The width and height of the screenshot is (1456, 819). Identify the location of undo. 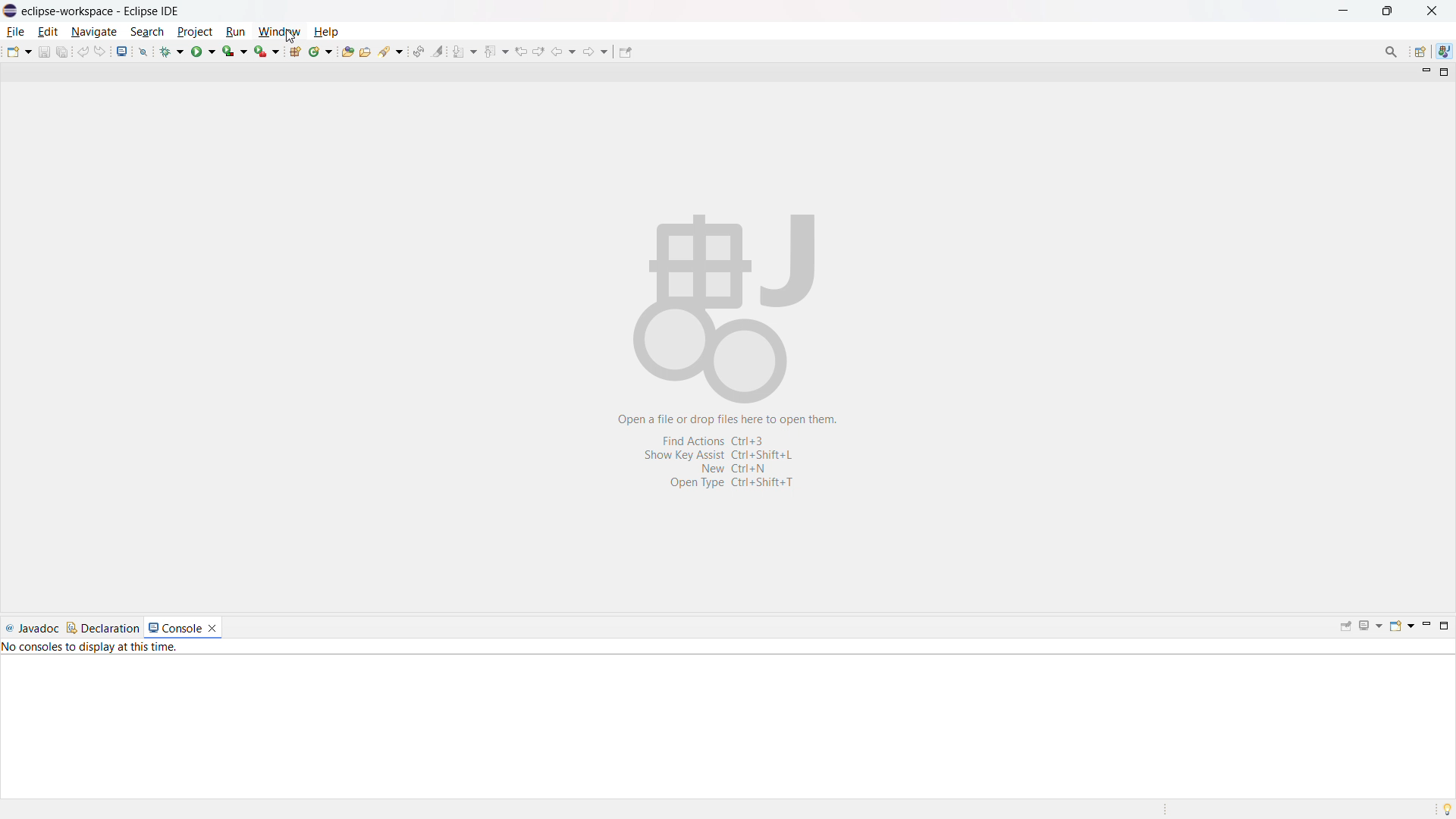
(82, 52).